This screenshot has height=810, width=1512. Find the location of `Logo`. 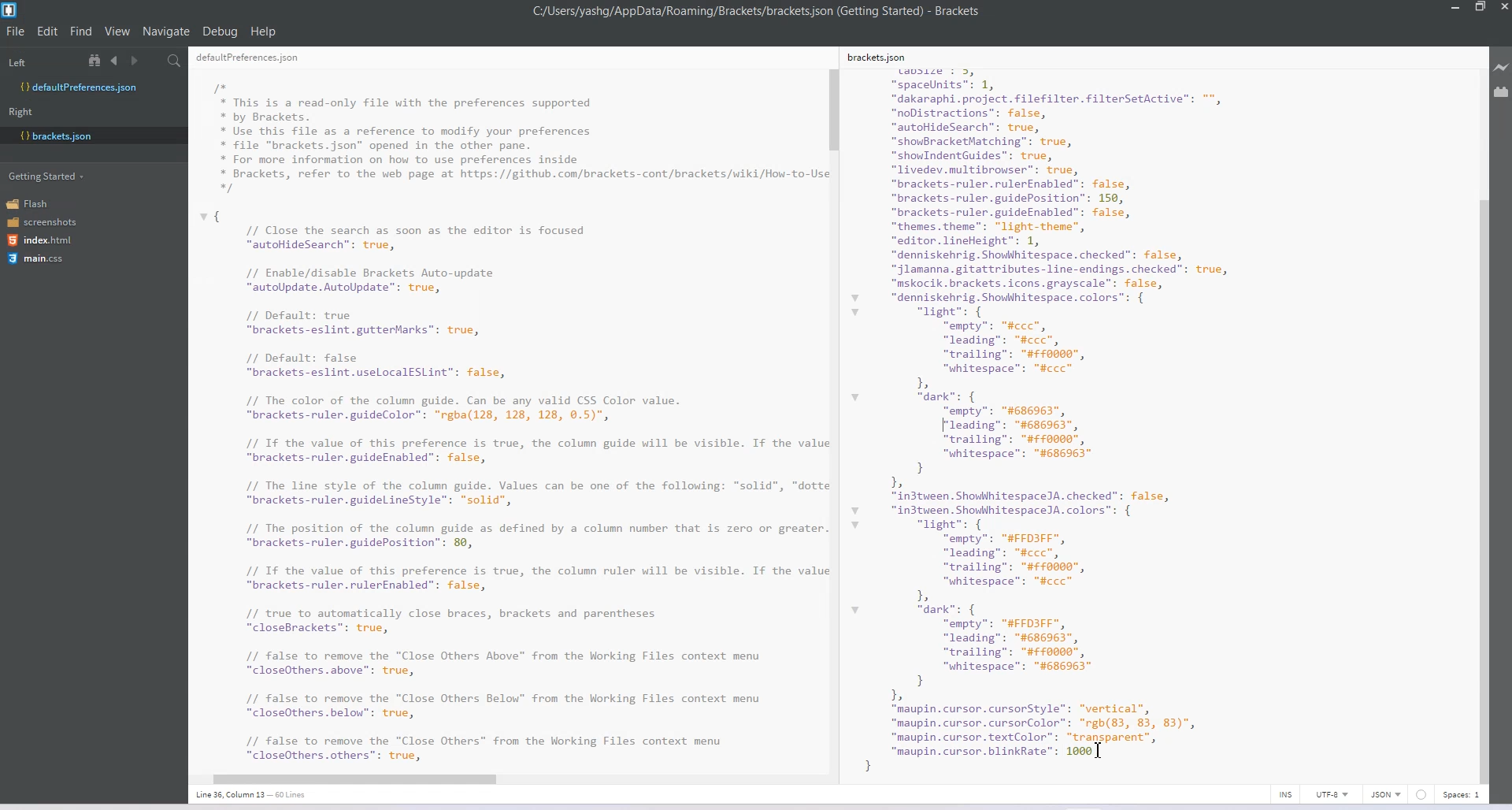

Logo is located at coordinates (11, 10).